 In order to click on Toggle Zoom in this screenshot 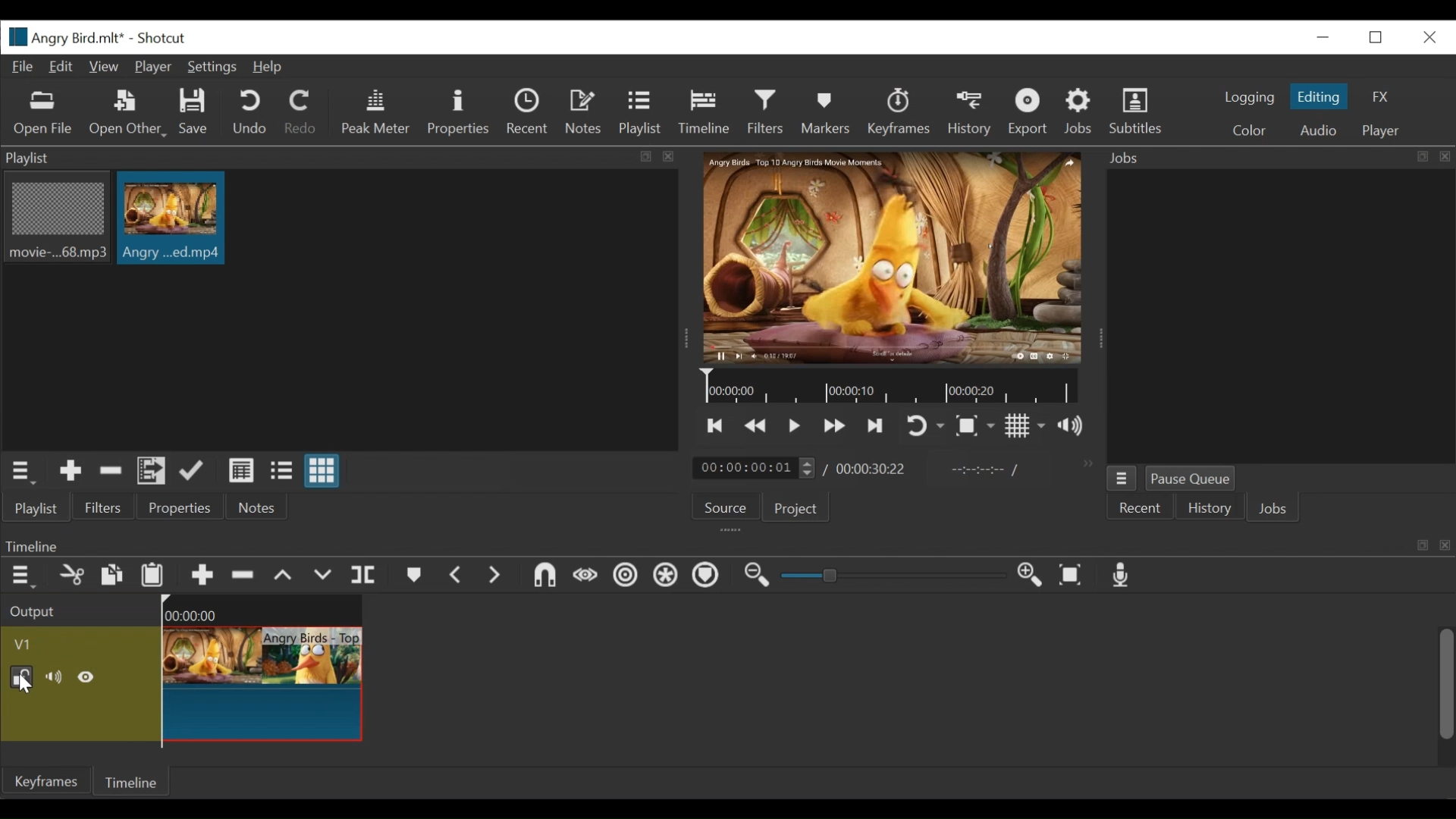, I will do `click(974, 426)`.